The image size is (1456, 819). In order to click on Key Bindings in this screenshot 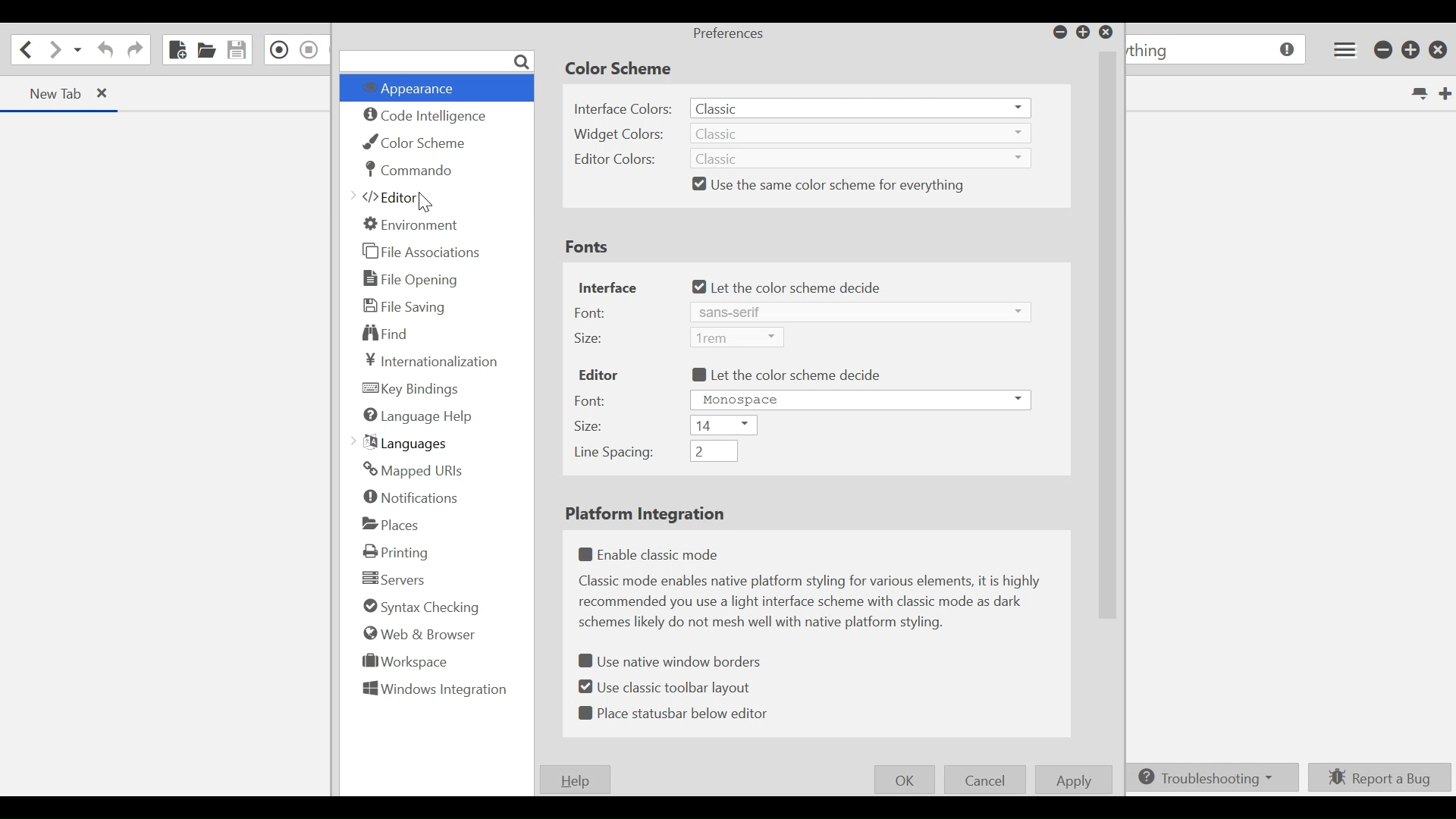, I will do `click(413, 390)`.